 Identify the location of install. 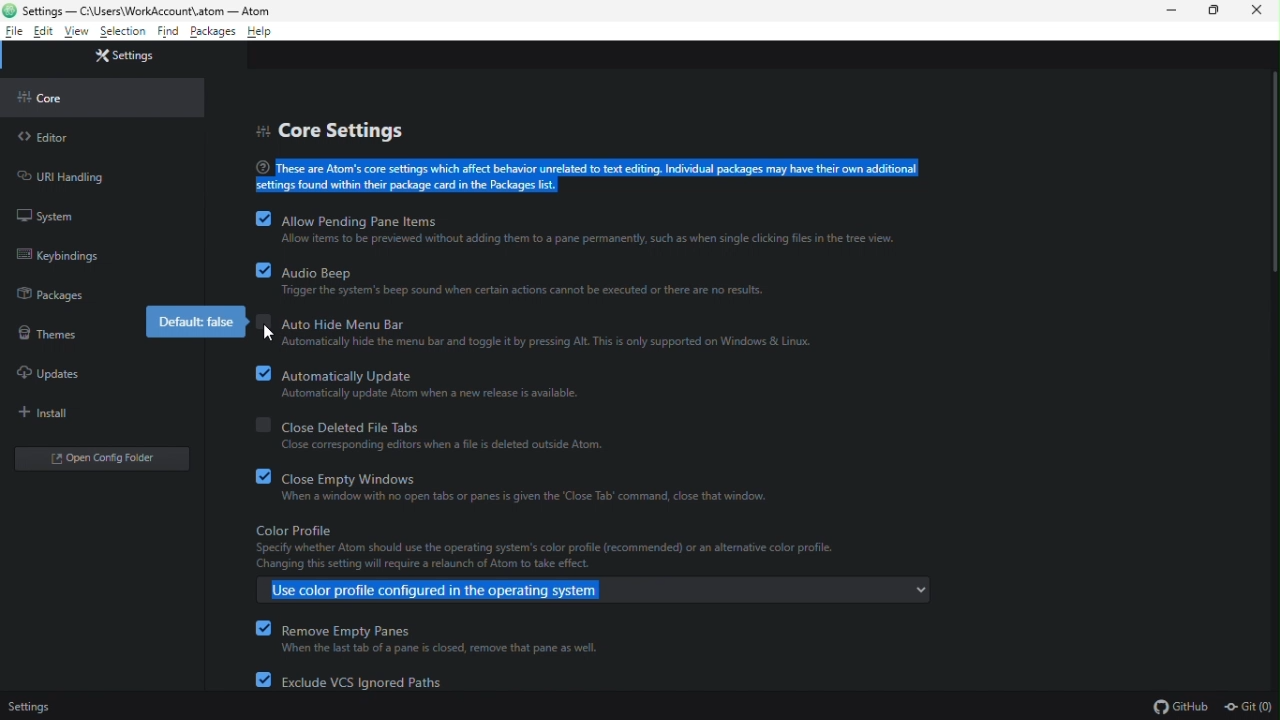
(47, 412).